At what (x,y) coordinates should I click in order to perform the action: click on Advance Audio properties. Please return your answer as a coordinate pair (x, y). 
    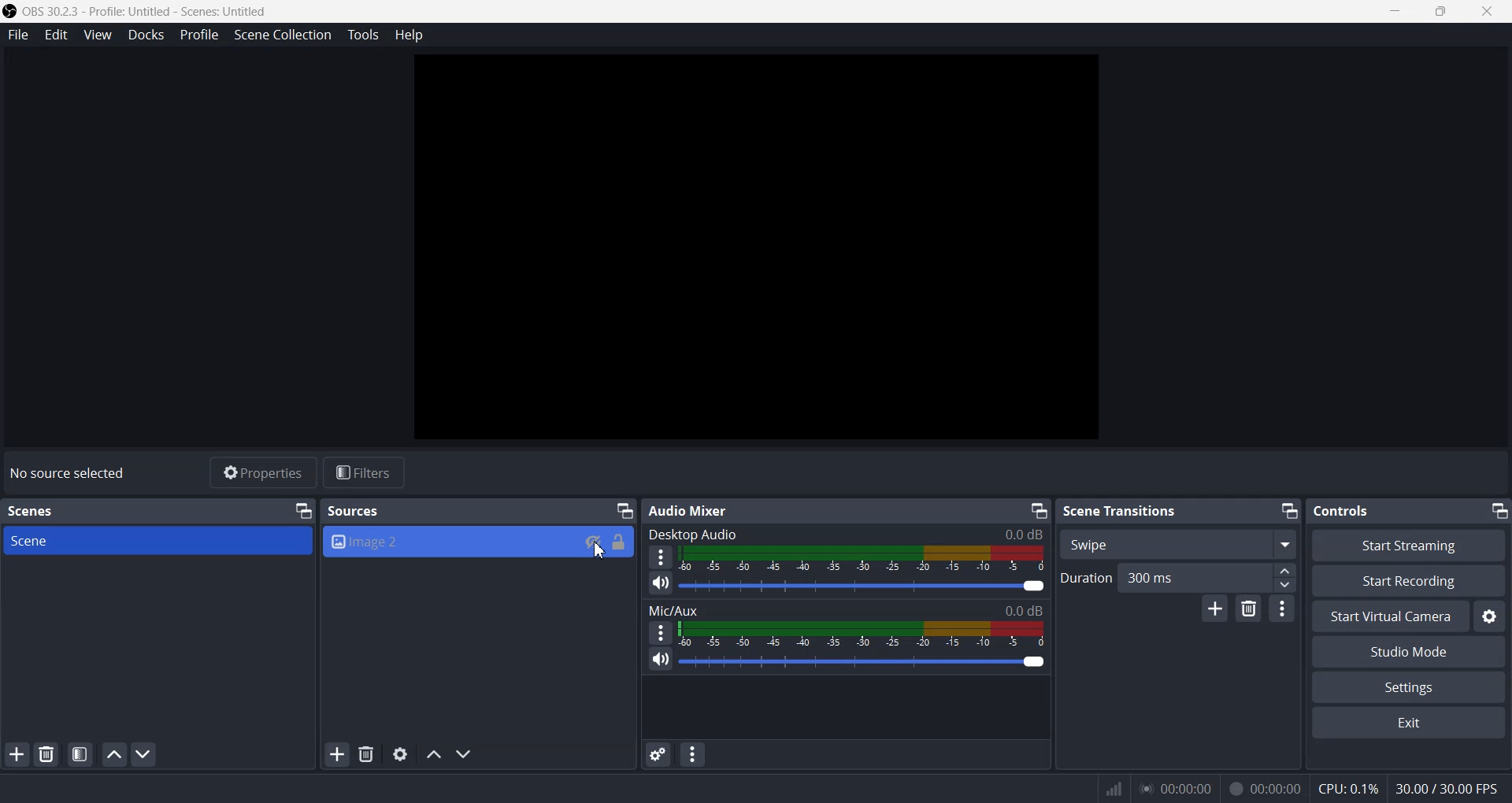
    Looking at the image, I should click on (658, 754).